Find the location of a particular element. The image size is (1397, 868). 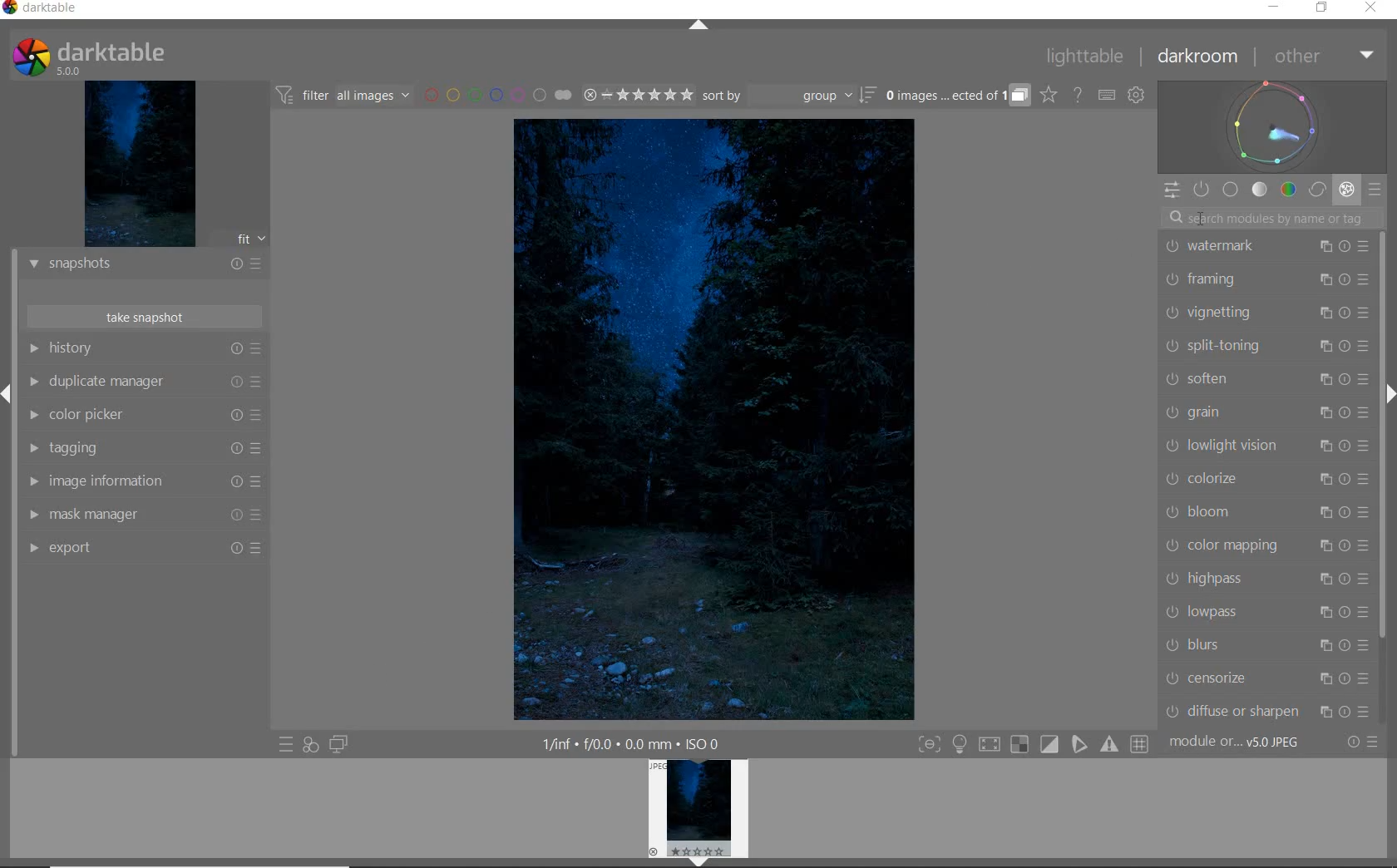

BLURS is located at coordinates (1265, 645).